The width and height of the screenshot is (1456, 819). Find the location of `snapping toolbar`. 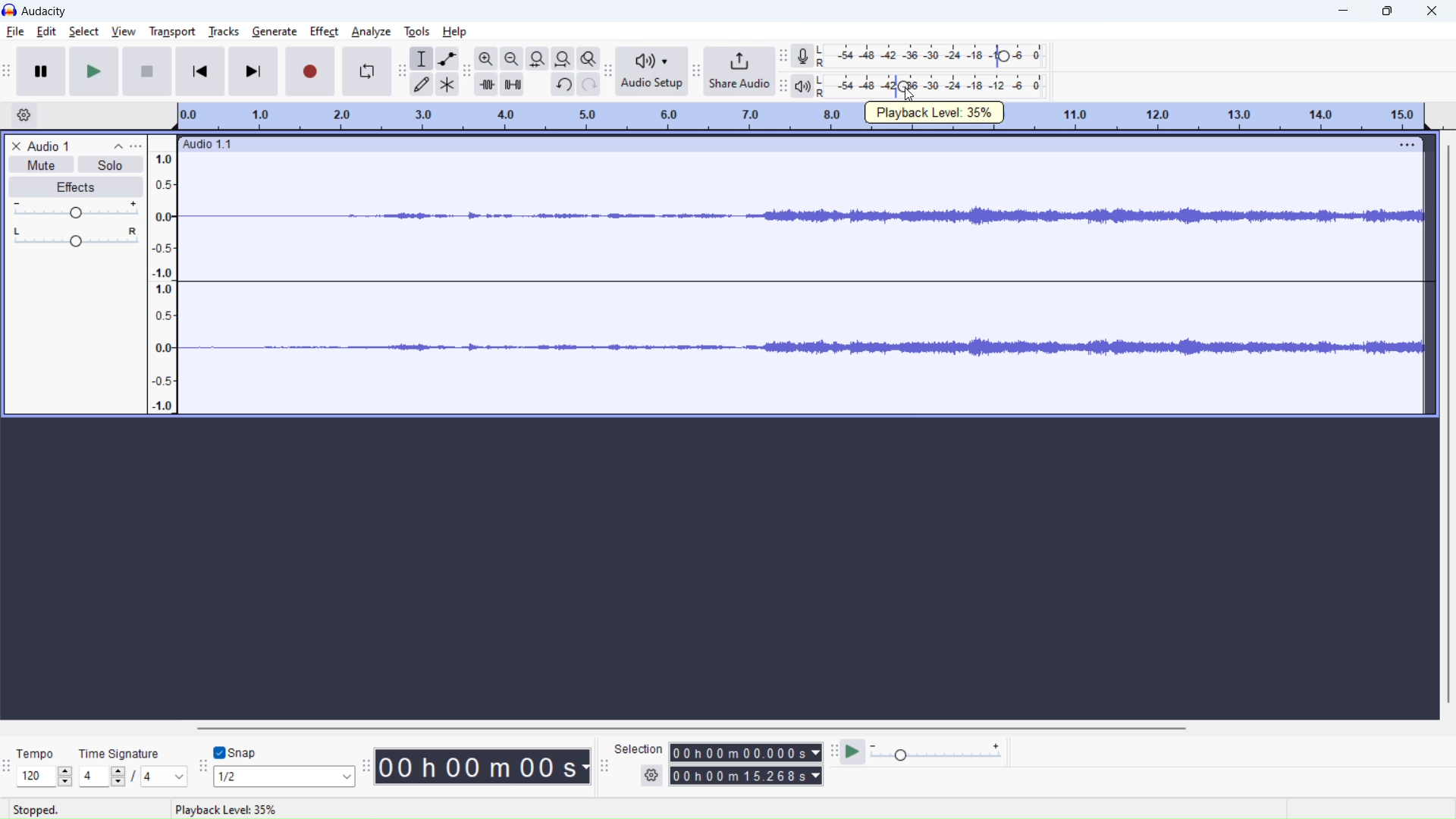

snapping toolbar is located at coordinates (202, 765).